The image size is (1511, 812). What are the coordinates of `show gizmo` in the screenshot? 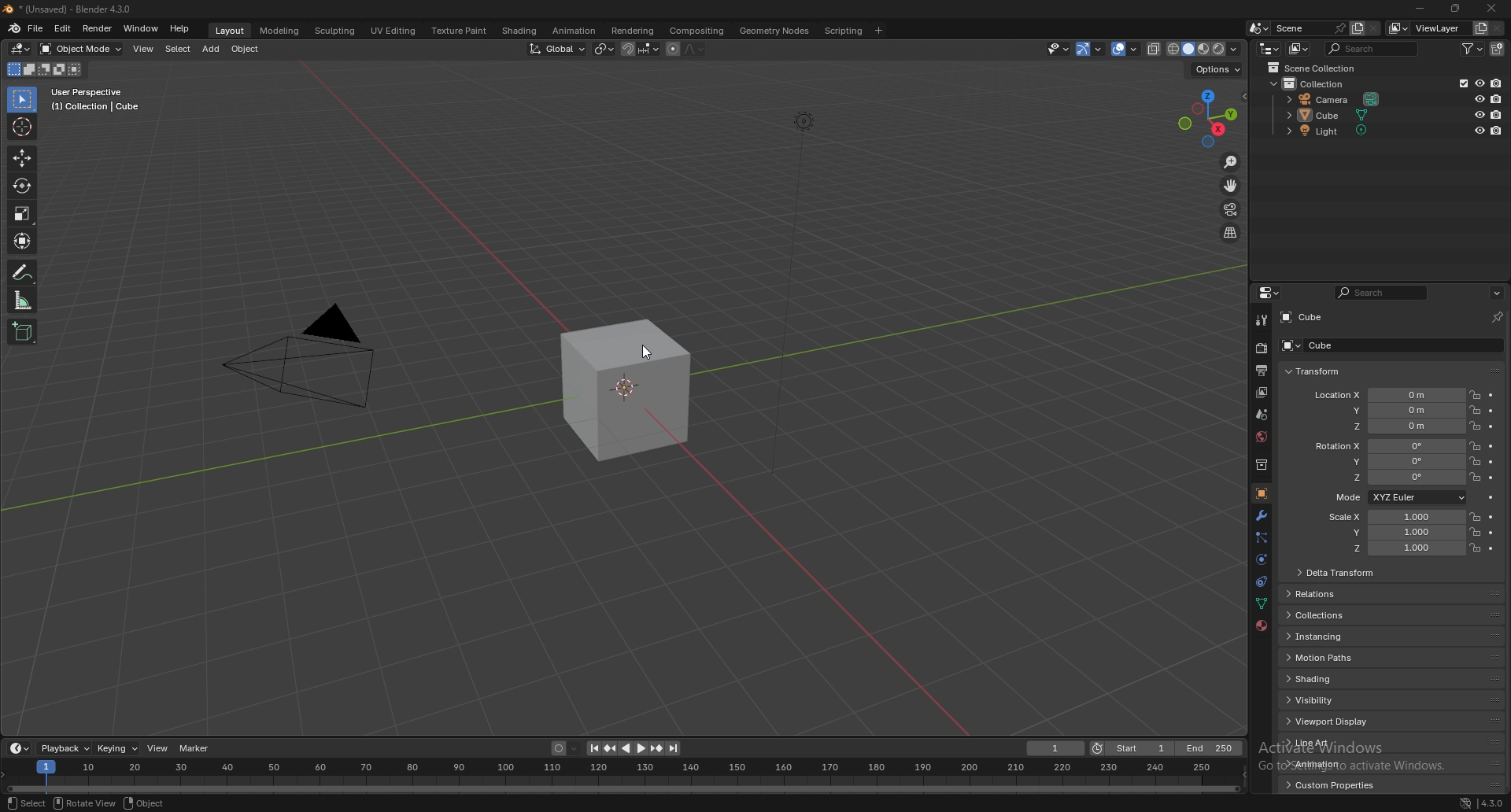 It's located at (1092, 49).